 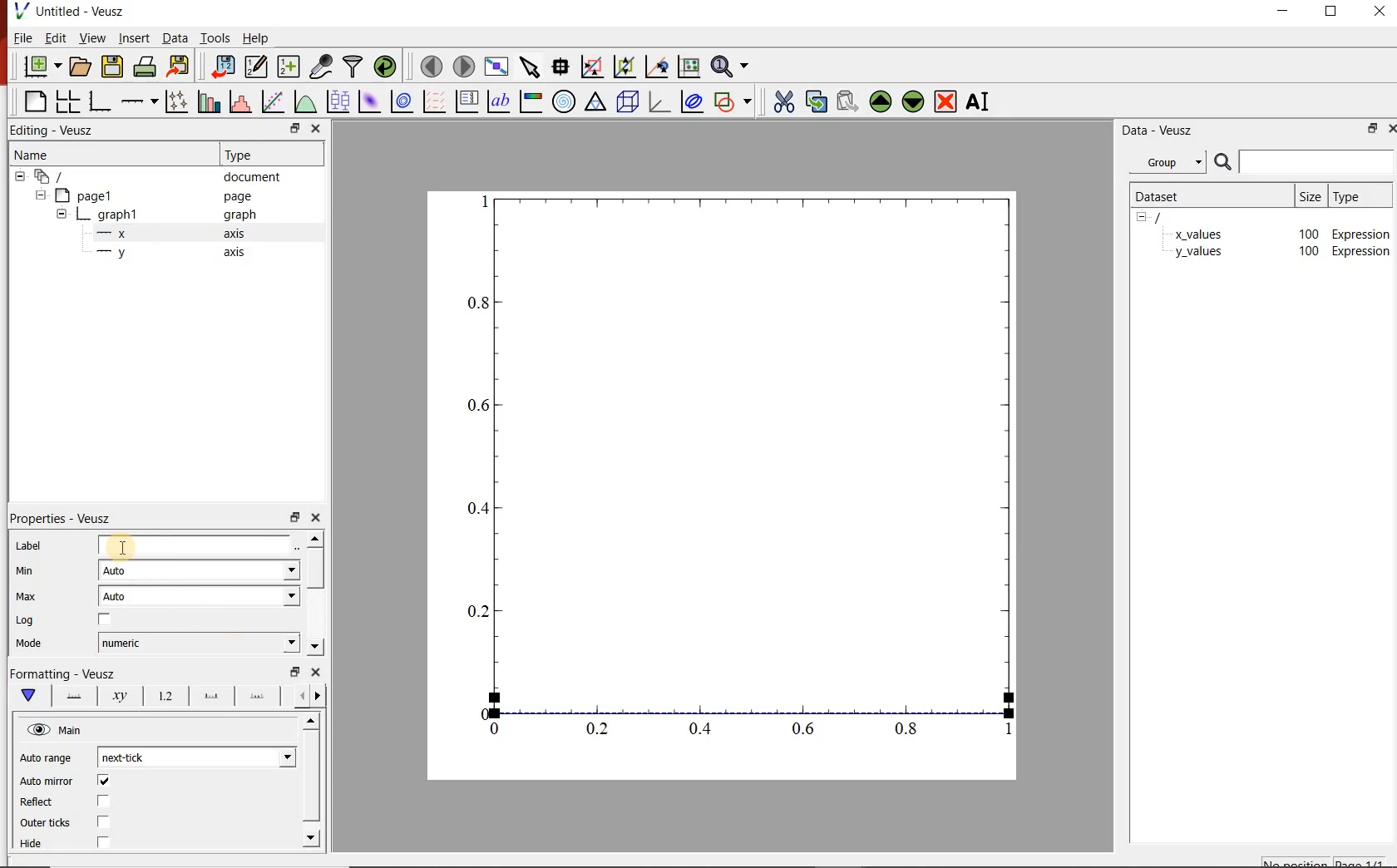 What do you see at coordinates (29, 546) in the screenshot?
I see `Label` at bounding box center [29, 546].